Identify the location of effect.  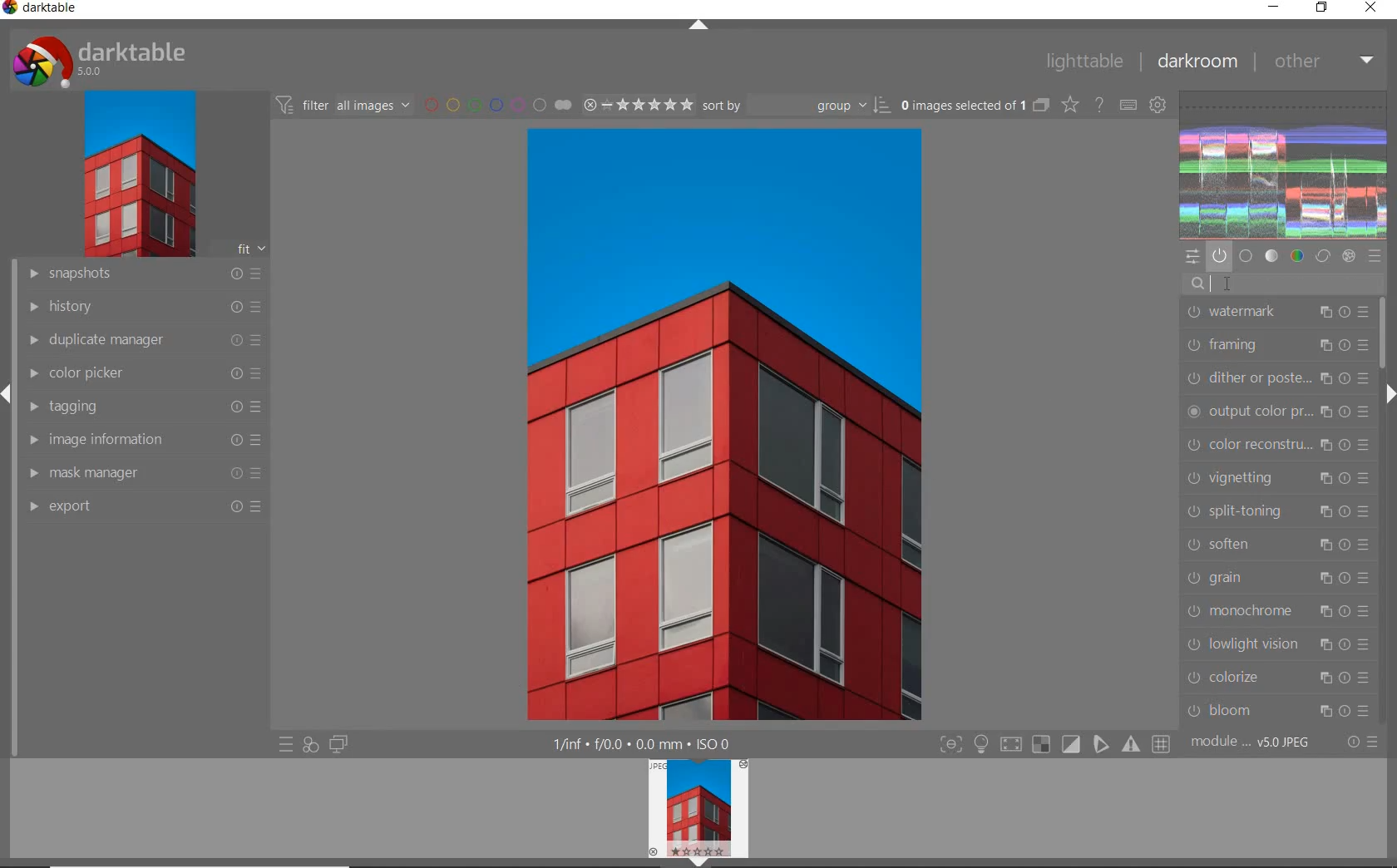
(1348, 257).